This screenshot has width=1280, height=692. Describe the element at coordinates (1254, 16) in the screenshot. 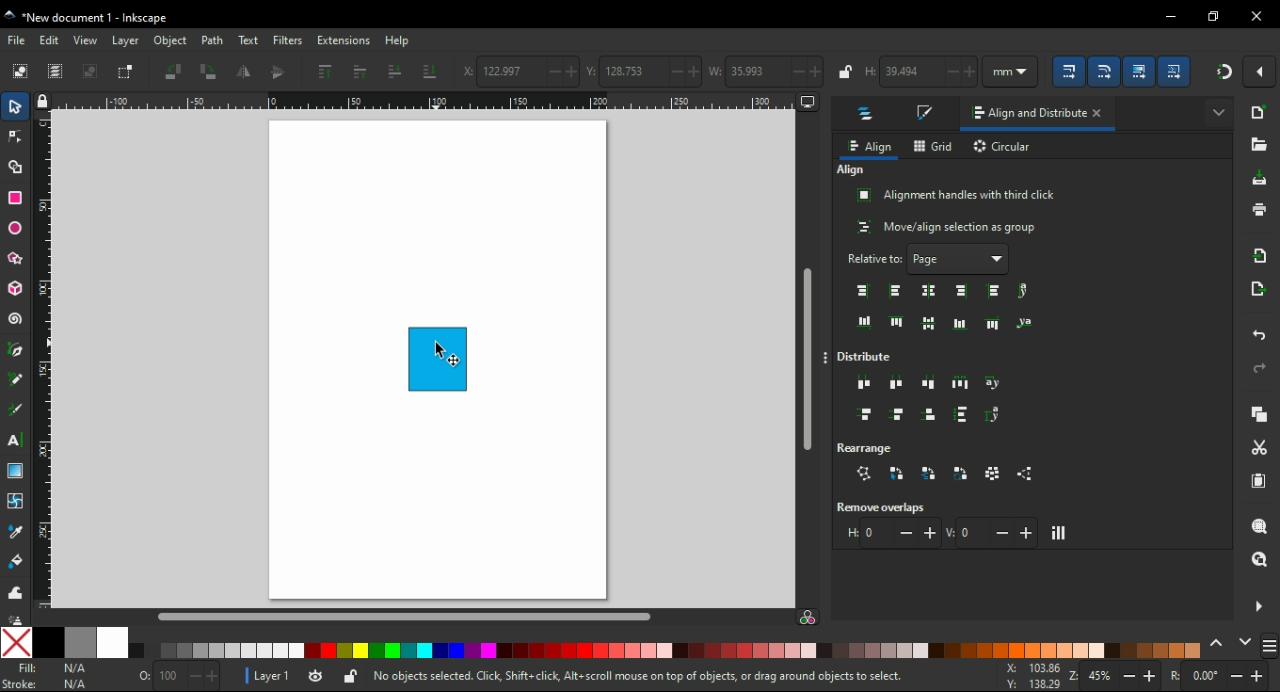

I see `close window` at that location.